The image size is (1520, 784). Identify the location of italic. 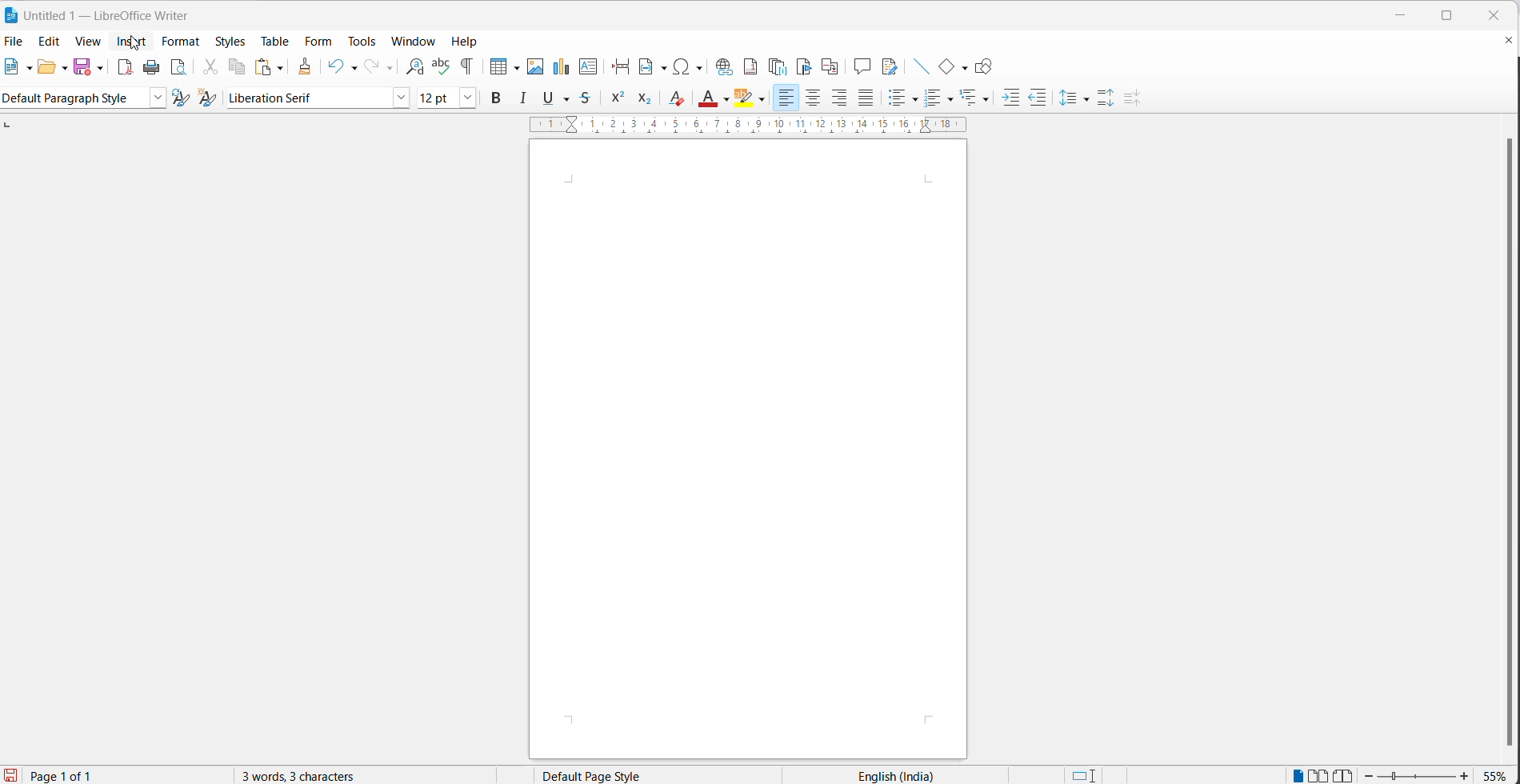
(524, 99).